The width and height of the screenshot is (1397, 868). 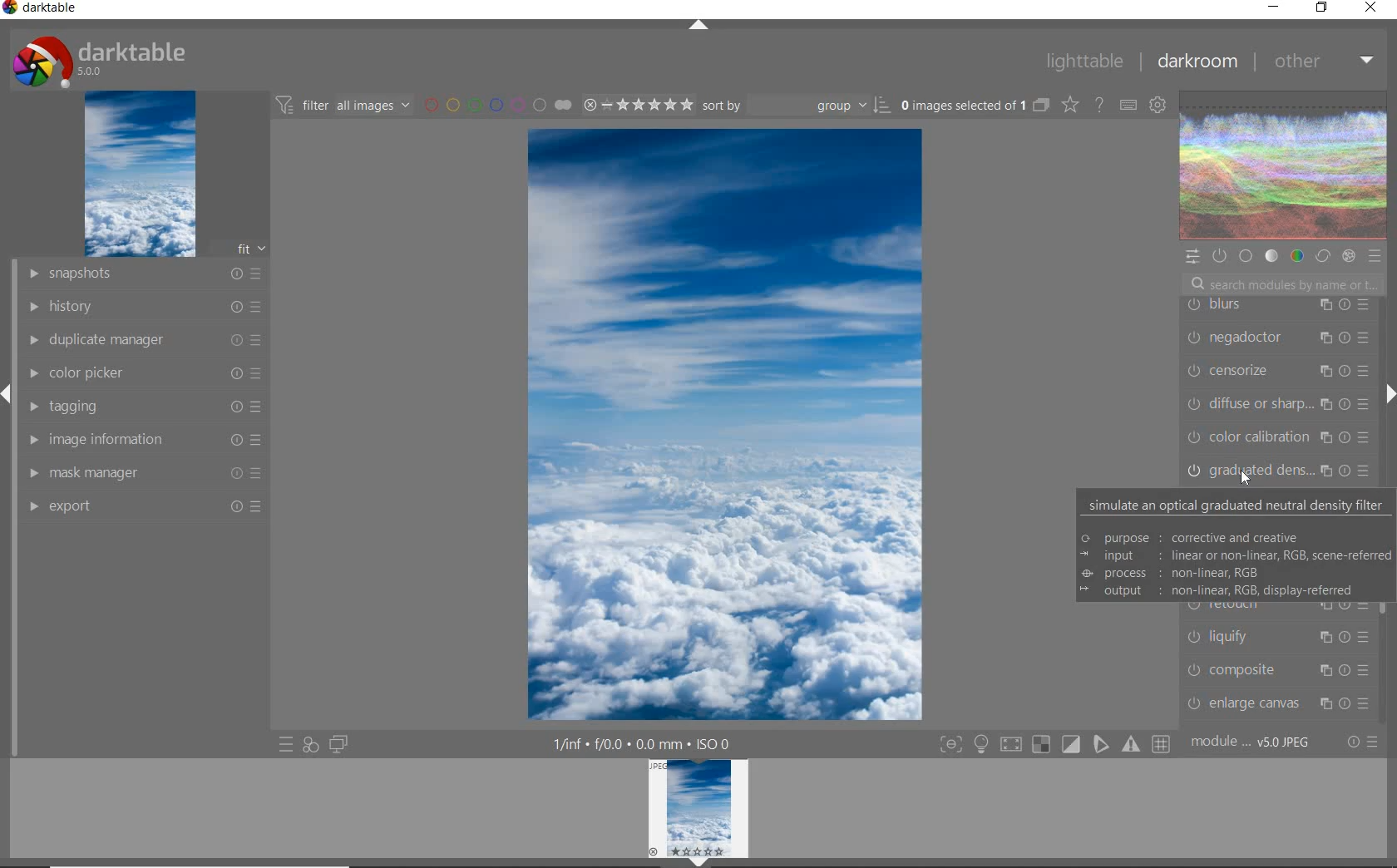 What do you see at coordinates (1192, 254) in the screenshot?
I see `QUICK ACCESS PANEL` at bounding box center [1192, 254].